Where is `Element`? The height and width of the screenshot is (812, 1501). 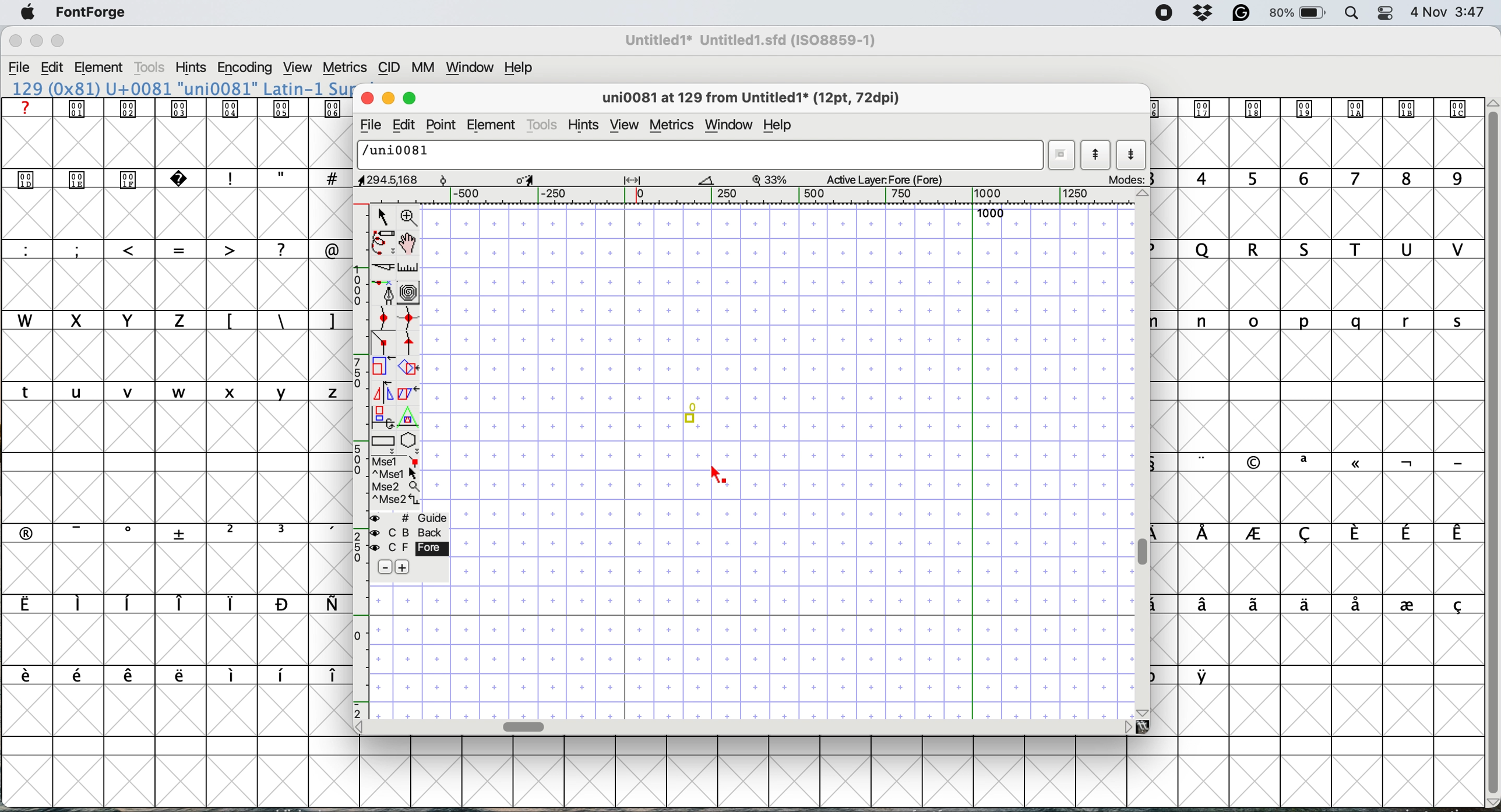 Element is located at coordinates (99, 69).